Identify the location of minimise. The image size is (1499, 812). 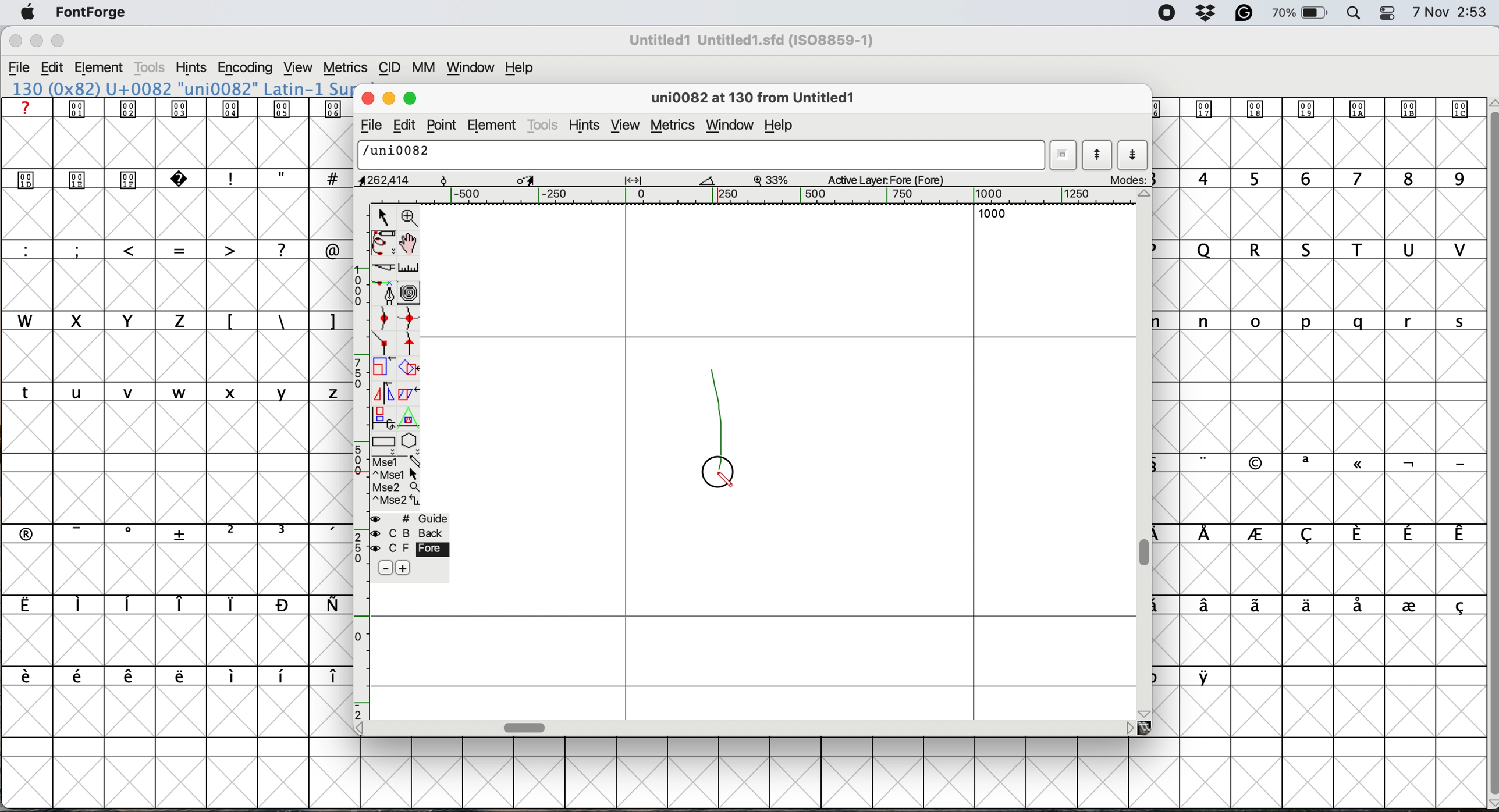
(389, 99).